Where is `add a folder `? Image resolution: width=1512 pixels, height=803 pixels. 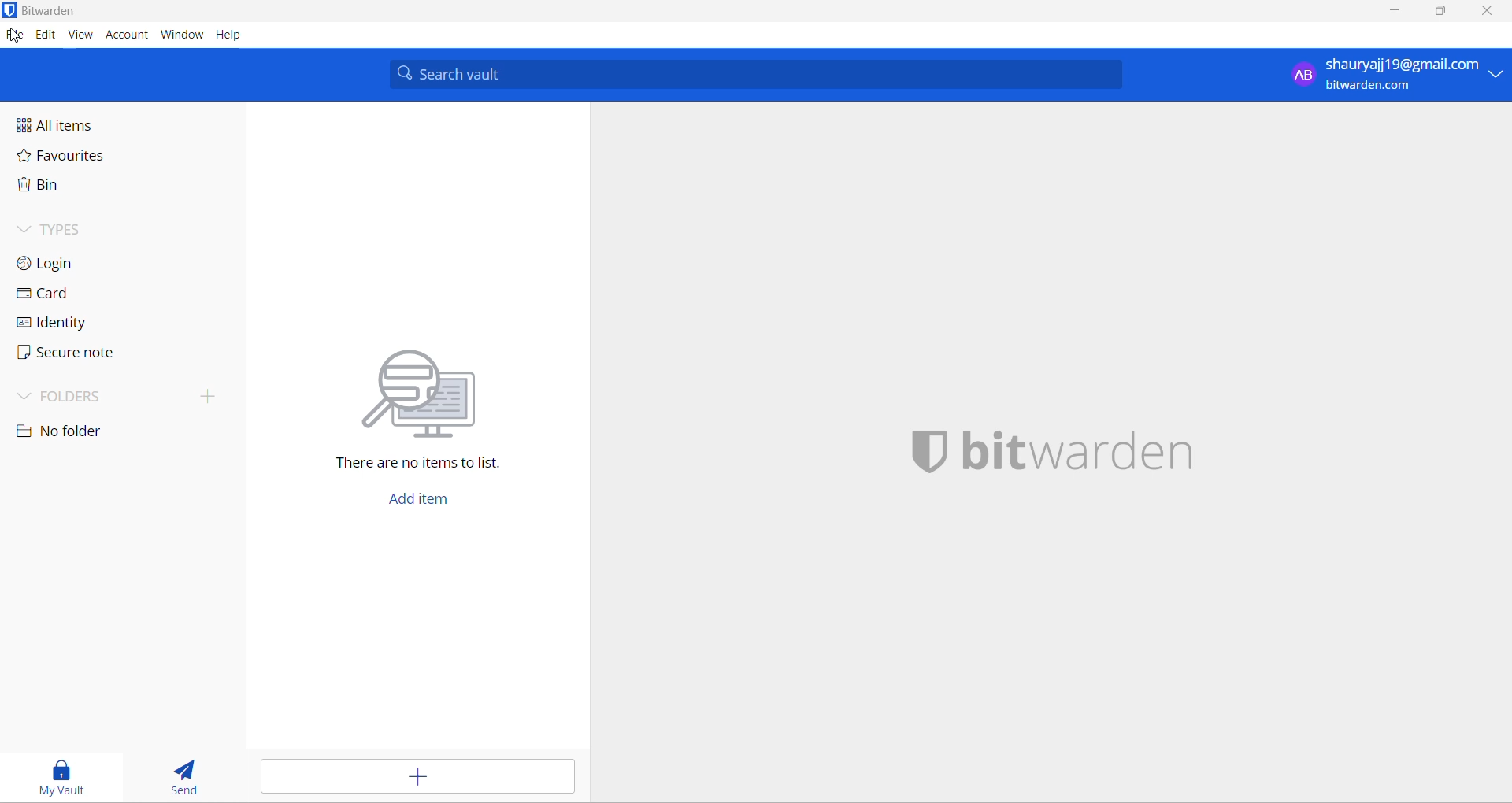
add a folder  is located at coordinates (210, 398).